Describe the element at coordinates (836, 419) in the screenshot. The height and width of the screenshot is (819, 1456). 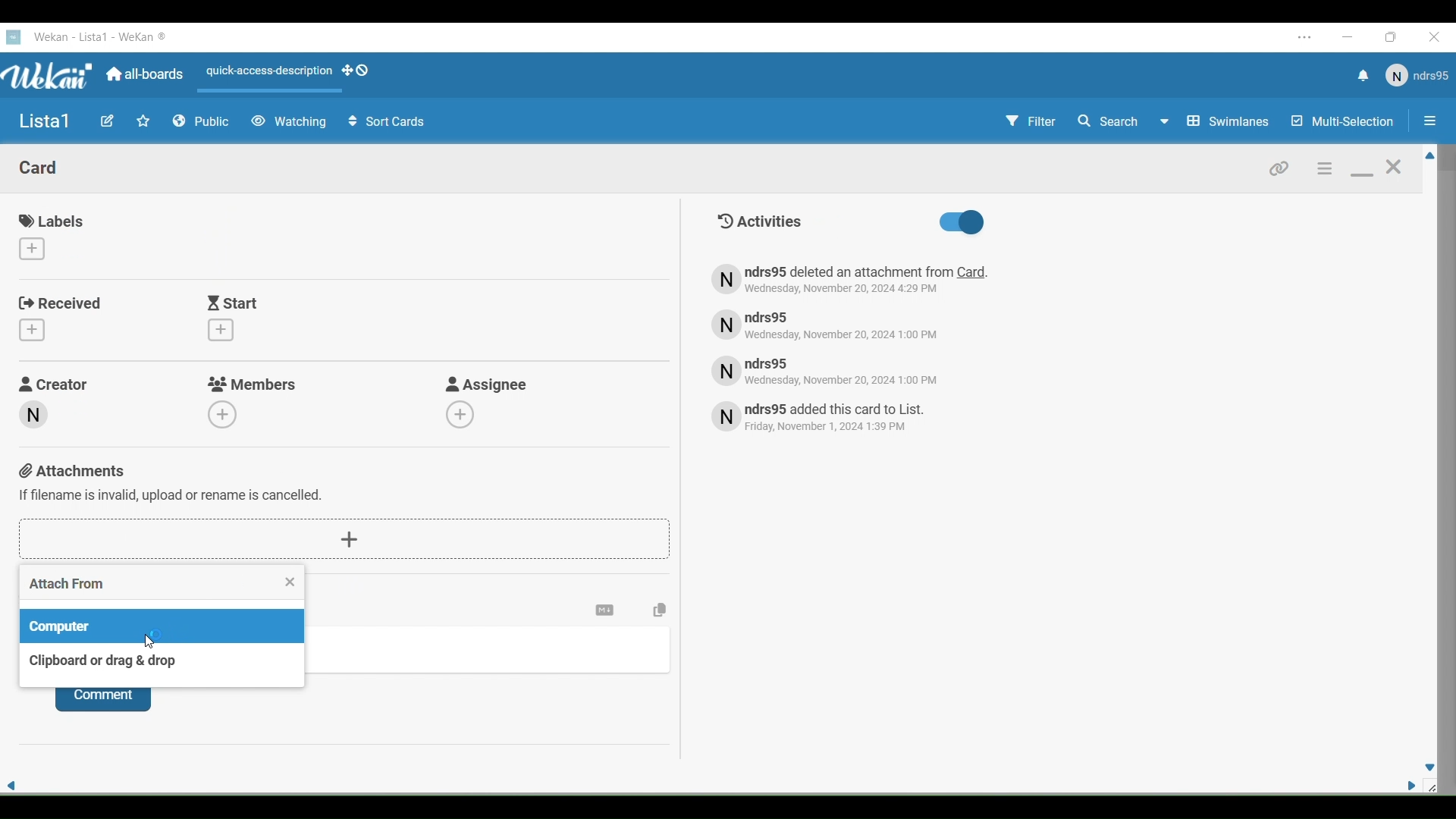
I see `Text` at that location.